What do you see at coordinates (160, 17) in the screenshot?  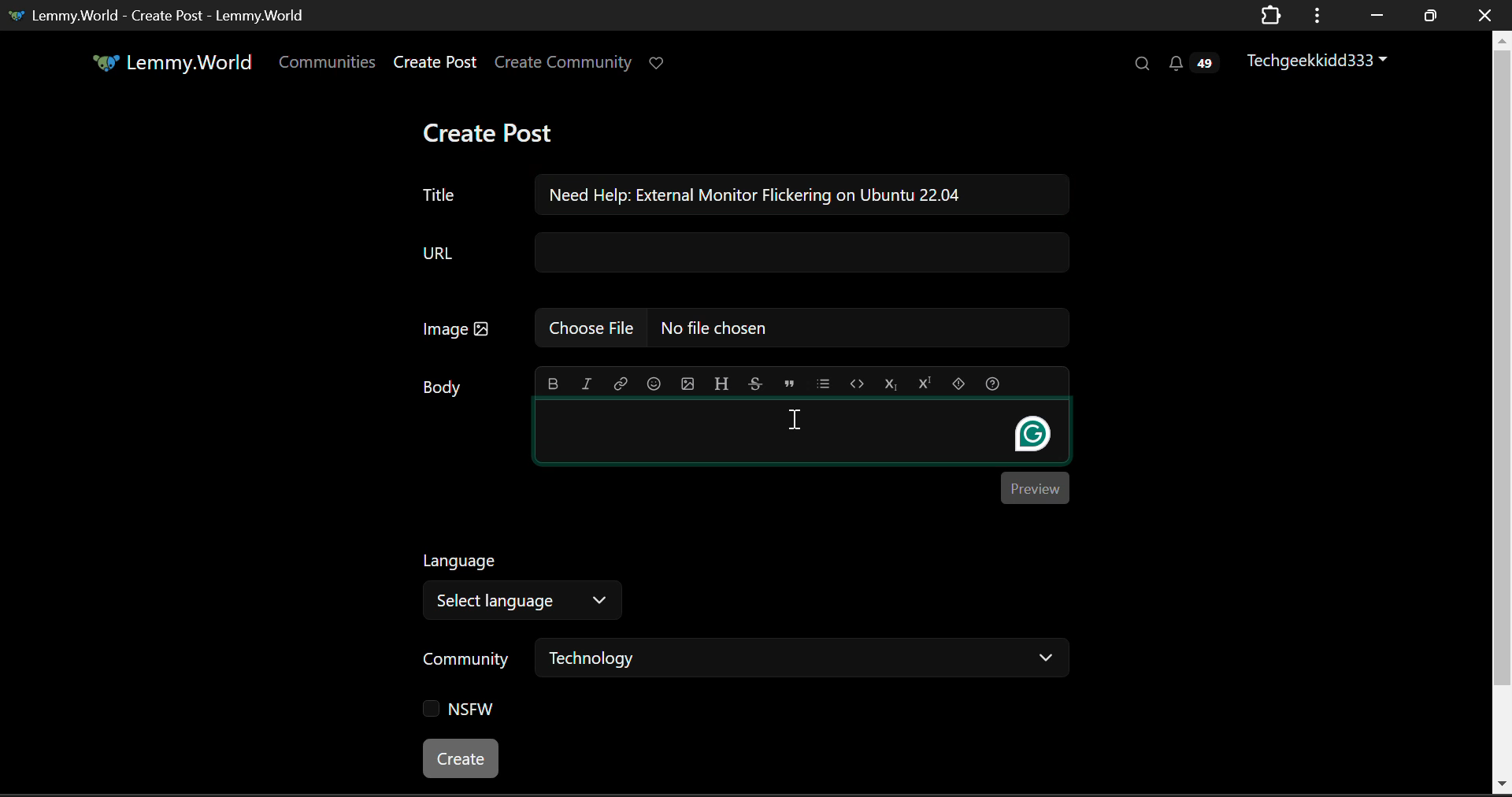 I see `Lemmy.World - Create Post - Lemmy.World` at bounding box center [160, 17].